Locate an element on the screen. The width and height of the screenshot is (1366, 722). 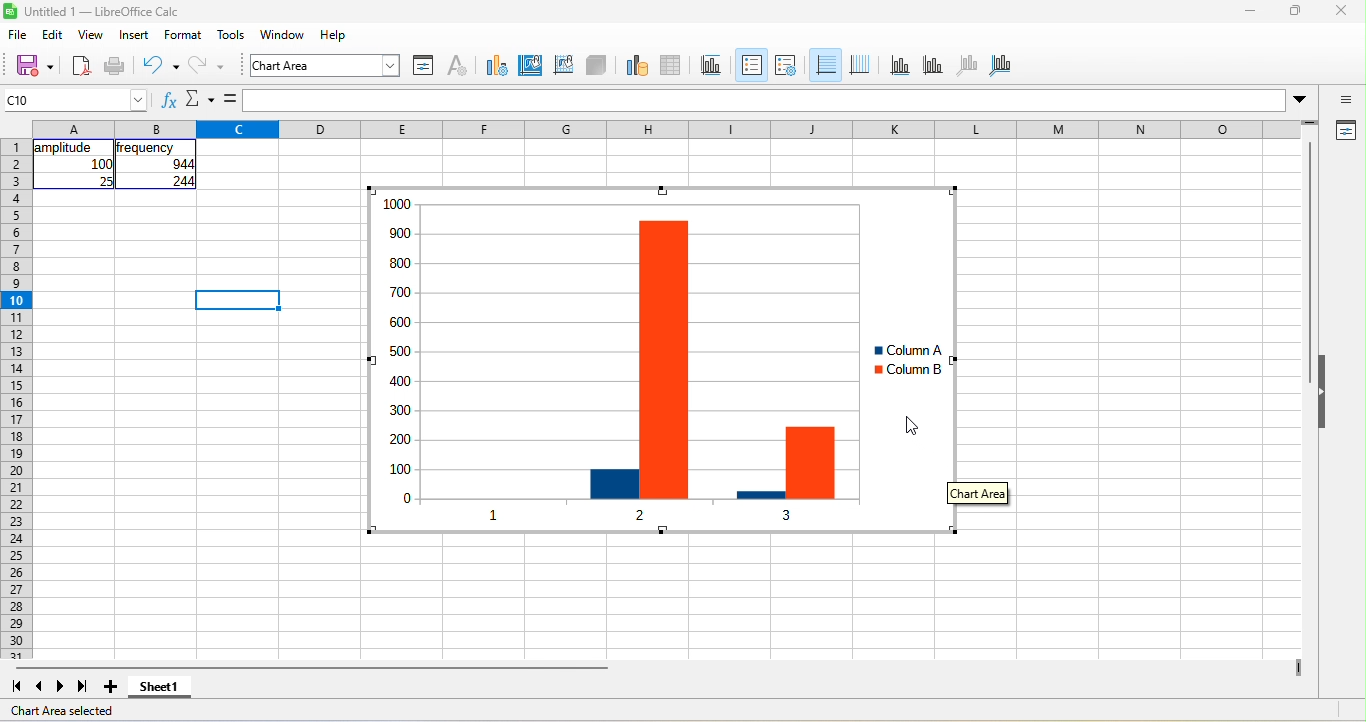
horizontal scroll bar is located at coordinates (312, 668).